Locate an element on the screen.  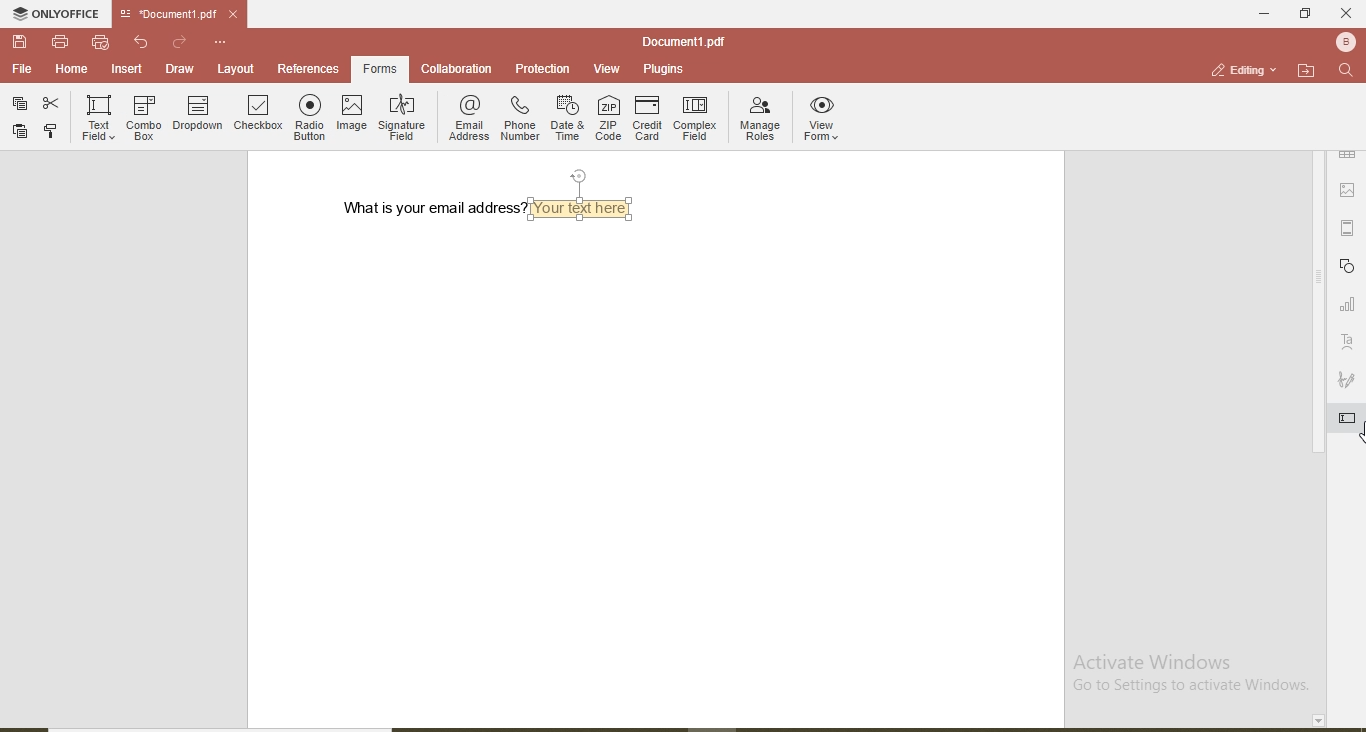
combo box is located at coordinates (142, 115).